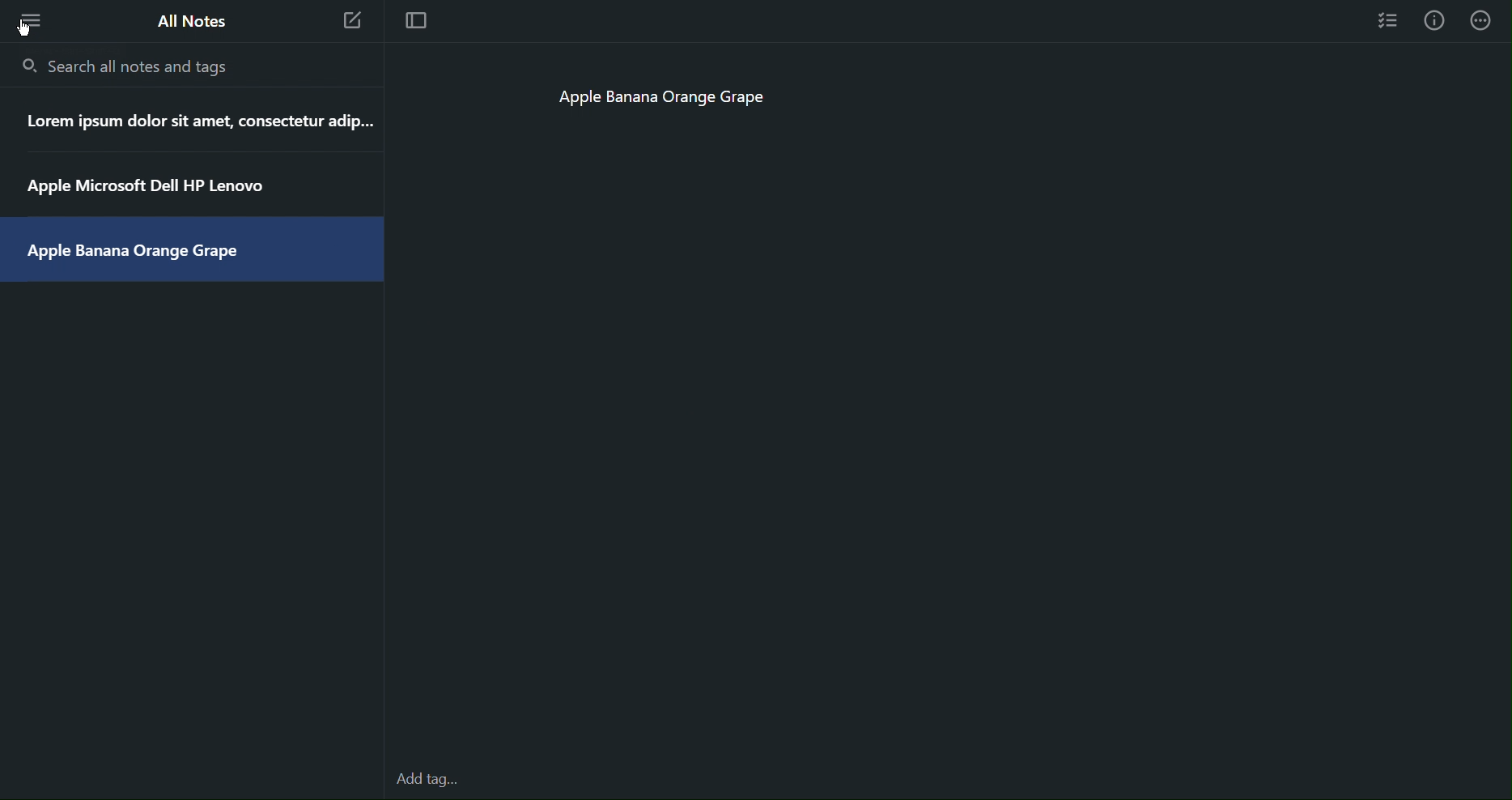 The image size is (1512, 800). I want to click on Info, so click(1434, 20).